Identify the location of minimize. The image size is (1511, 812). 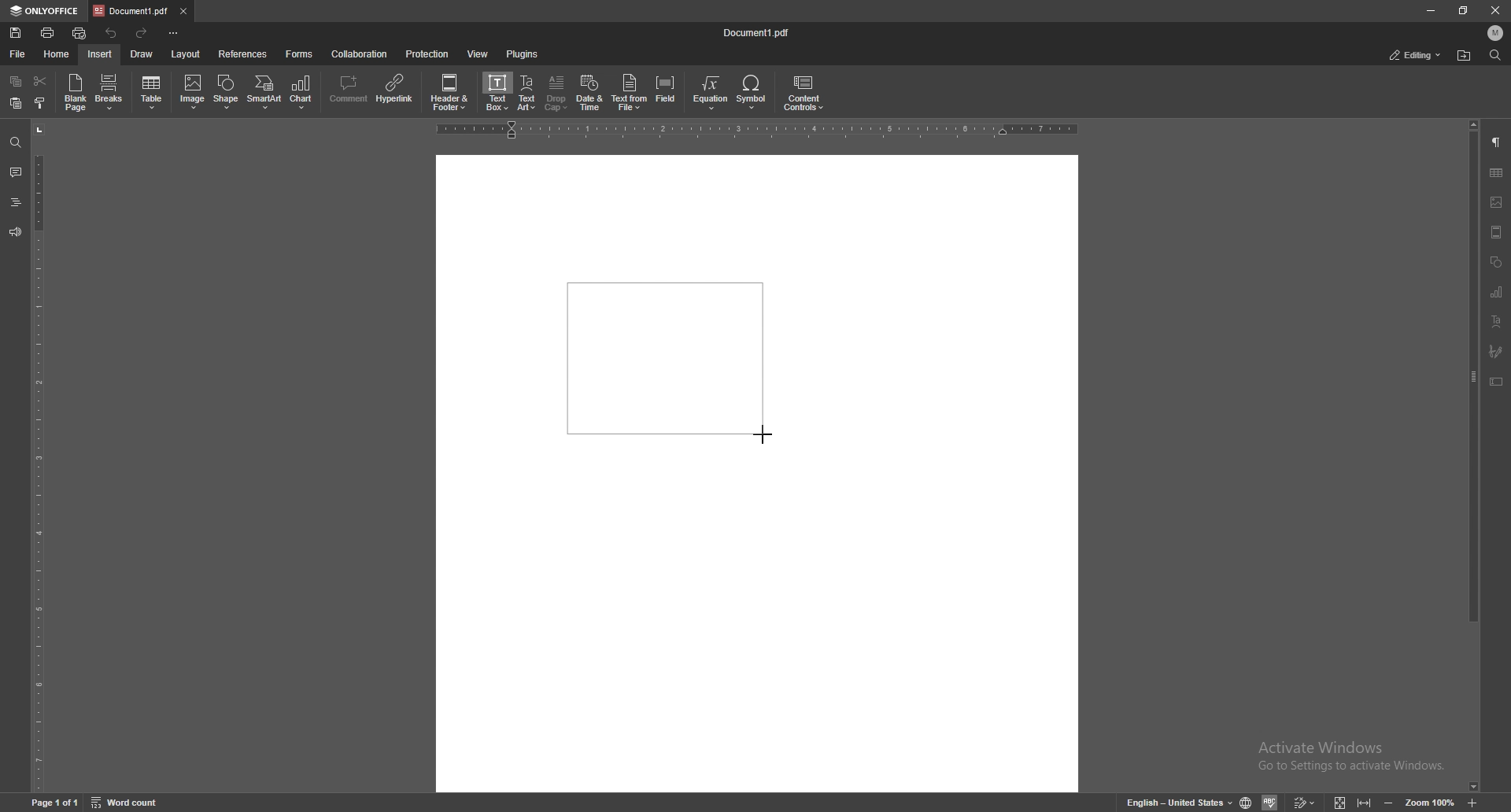
(1431, 10).